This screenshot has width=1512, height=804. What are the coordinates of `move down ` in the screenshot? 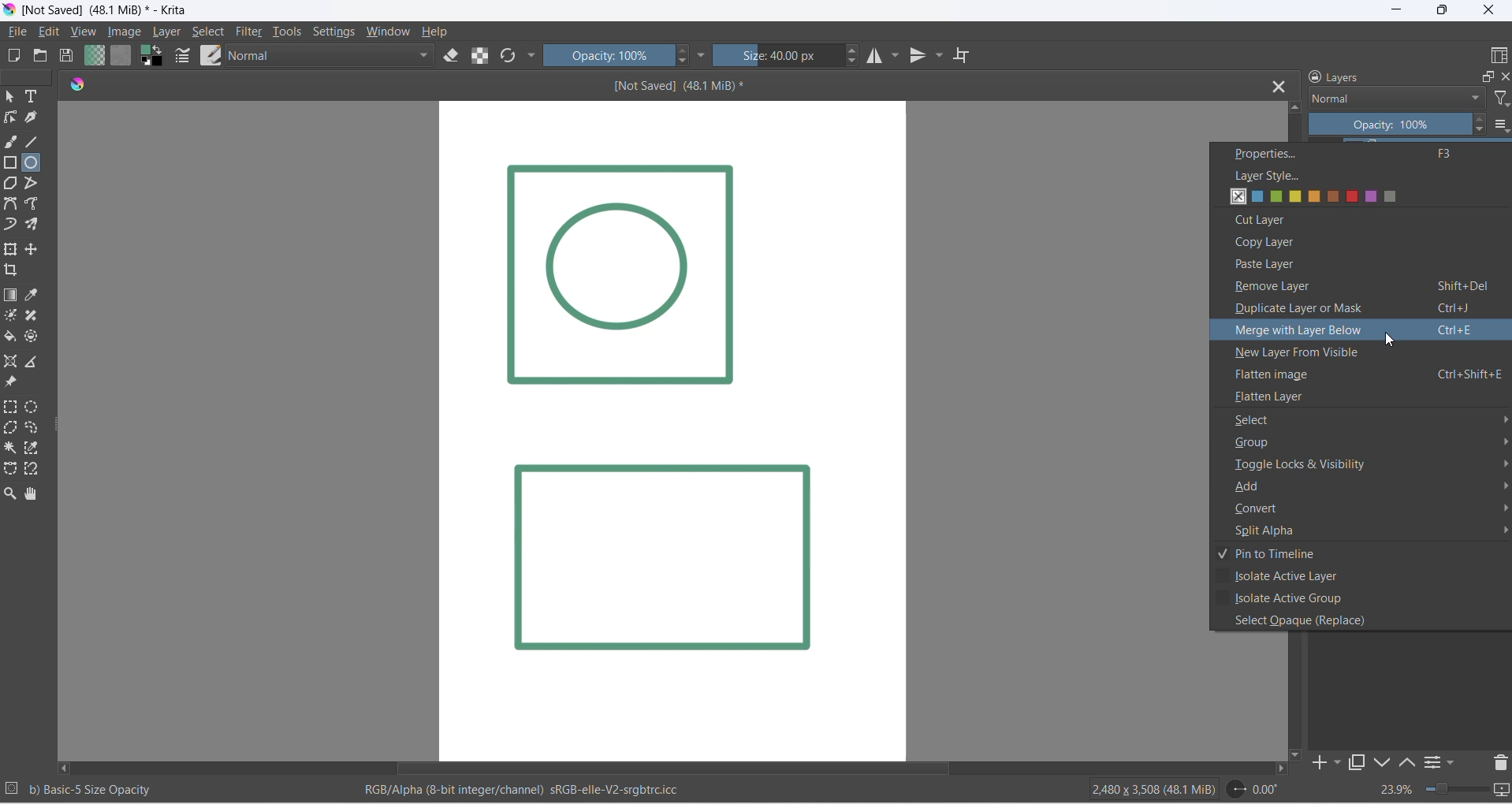 It's located at (1296, 754).